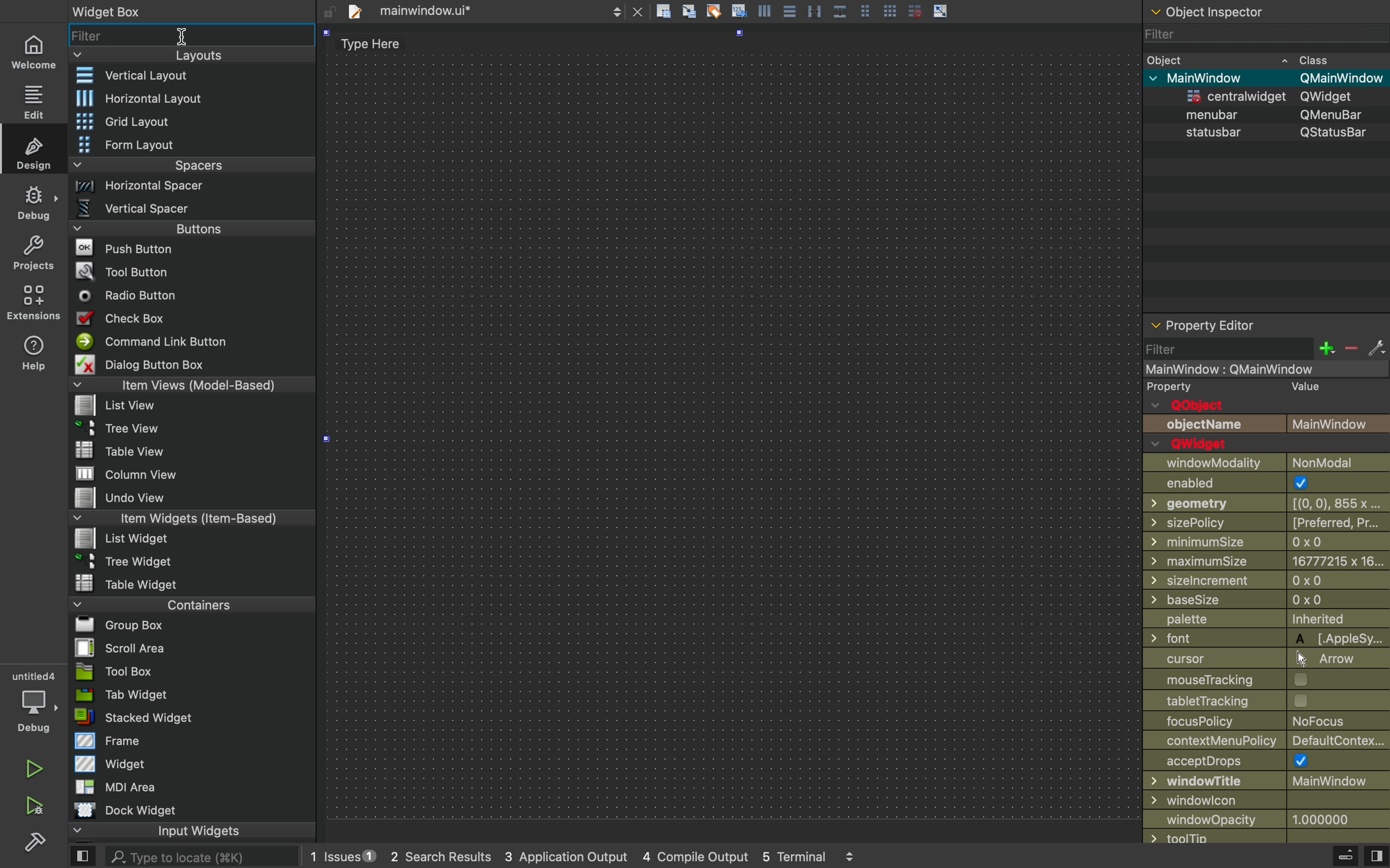  Describe the element at coordinates (690, 12) in the screenshot. I see `icon` at that location.